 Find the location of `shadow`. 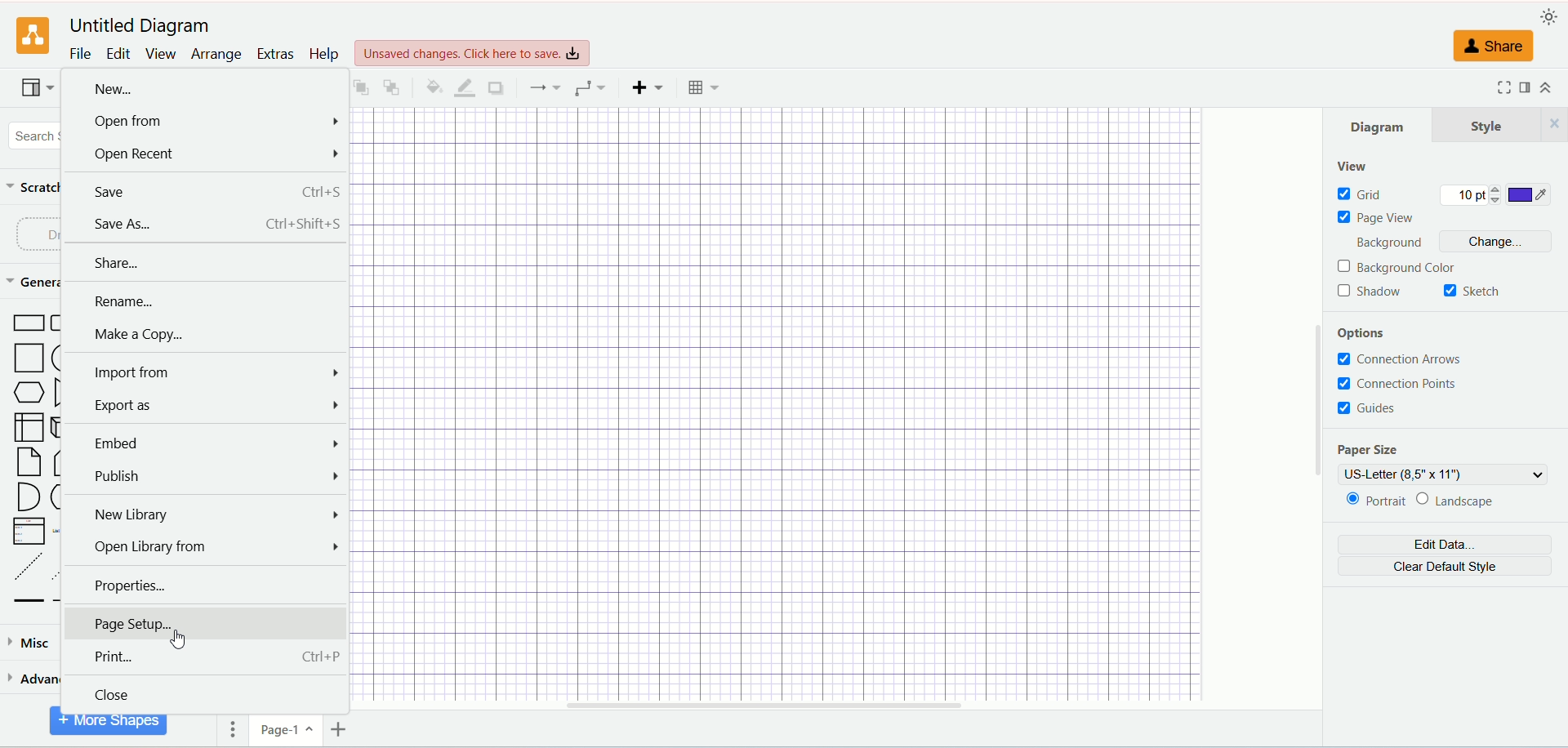

shadow is located at coordinates (1370, 292).